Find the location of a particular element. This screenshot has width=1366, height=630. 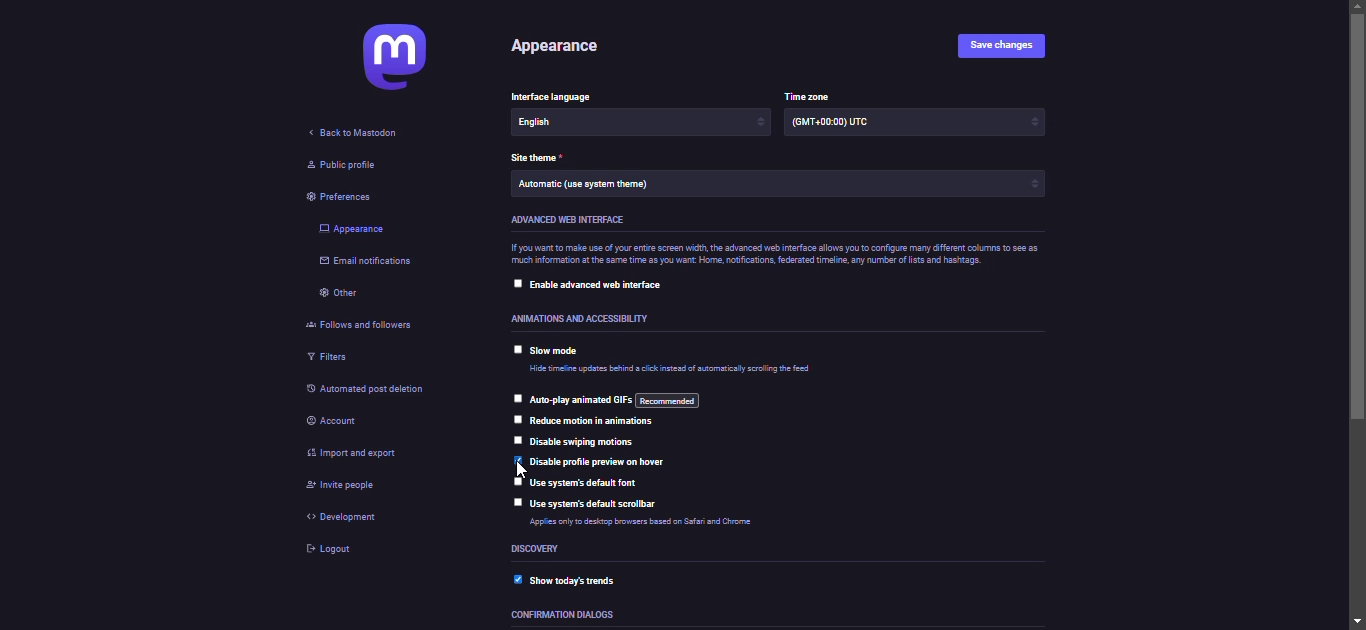

language is located at coordinates (557, 94).